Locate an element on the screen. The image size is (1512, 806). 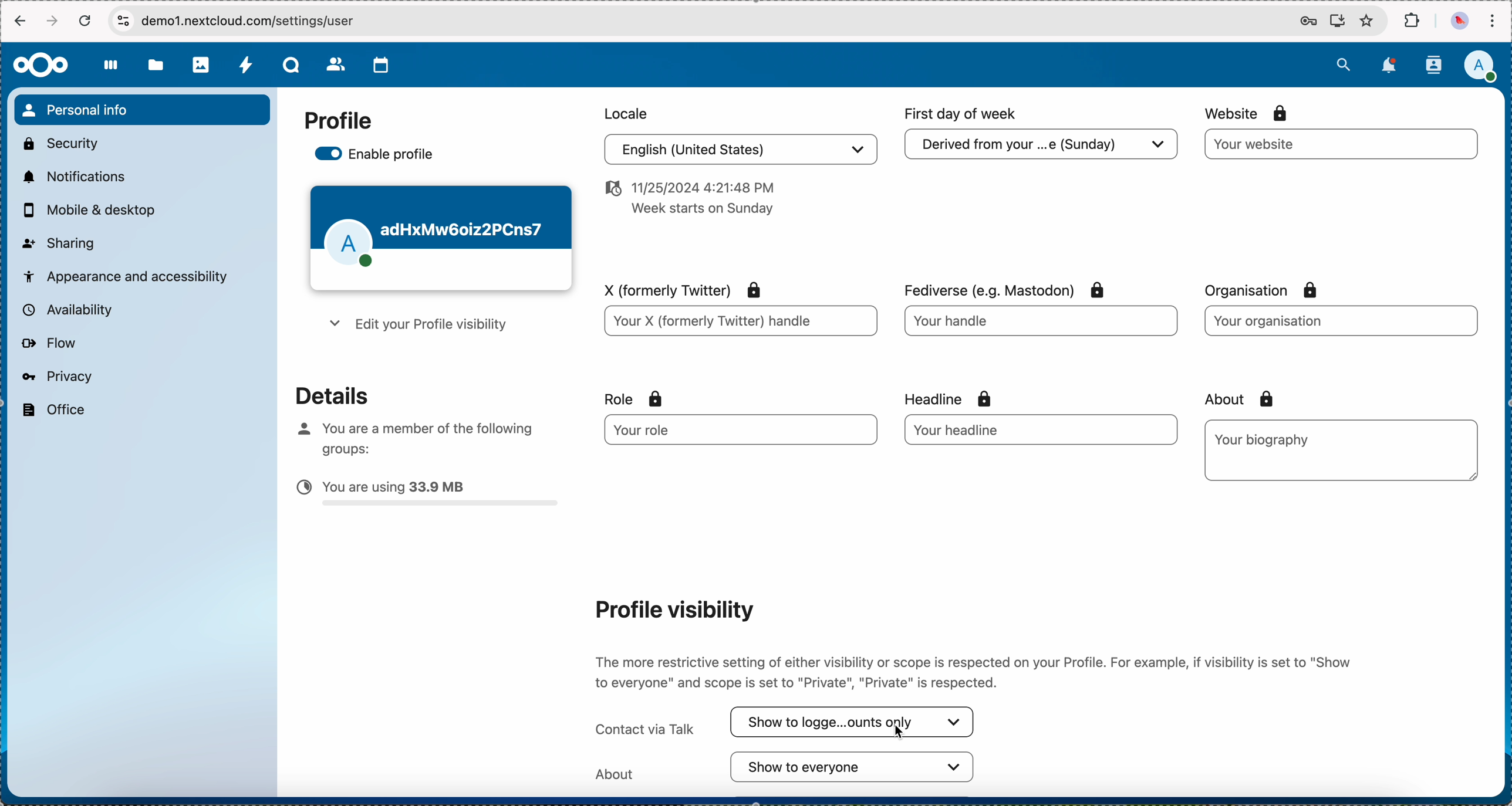
click on contact via Talk options is located at coordinates (853, 723).